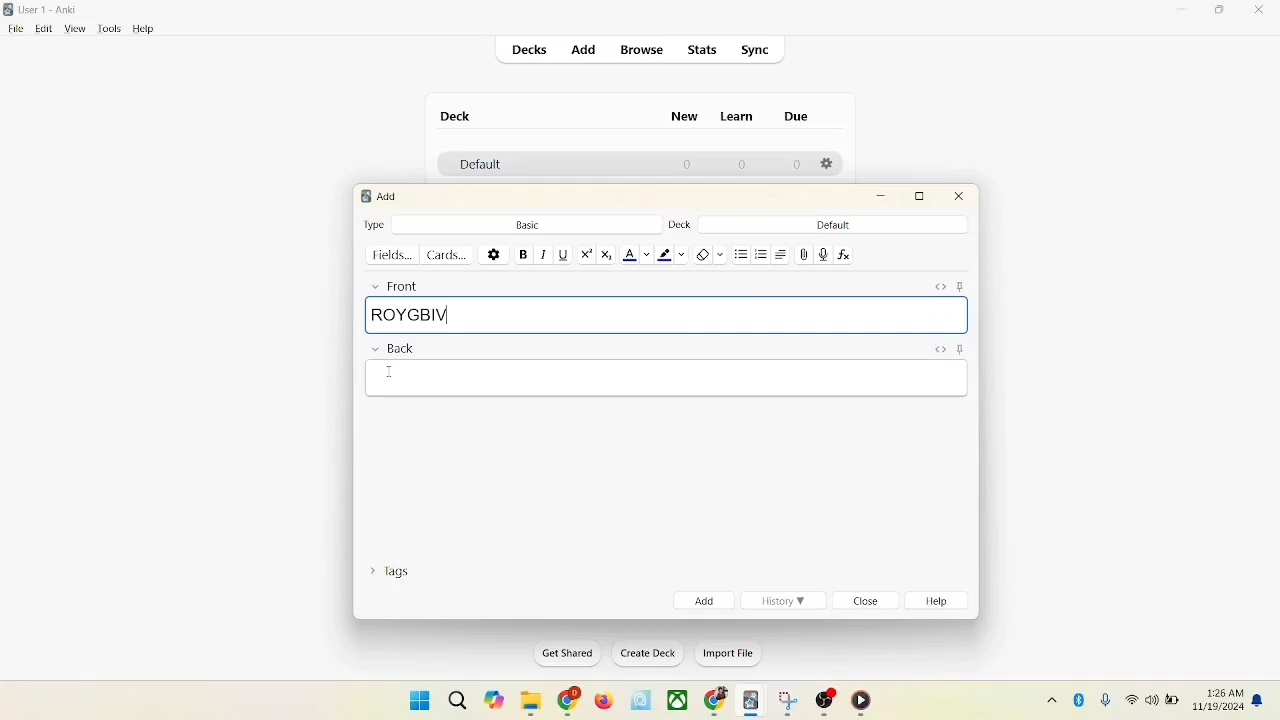 Image resolution: width=1280 pixels, height=720 pixels. What do you see at coordinates (798, 165) in the screenshot?
I see `0` at bounding box center [798, 165].